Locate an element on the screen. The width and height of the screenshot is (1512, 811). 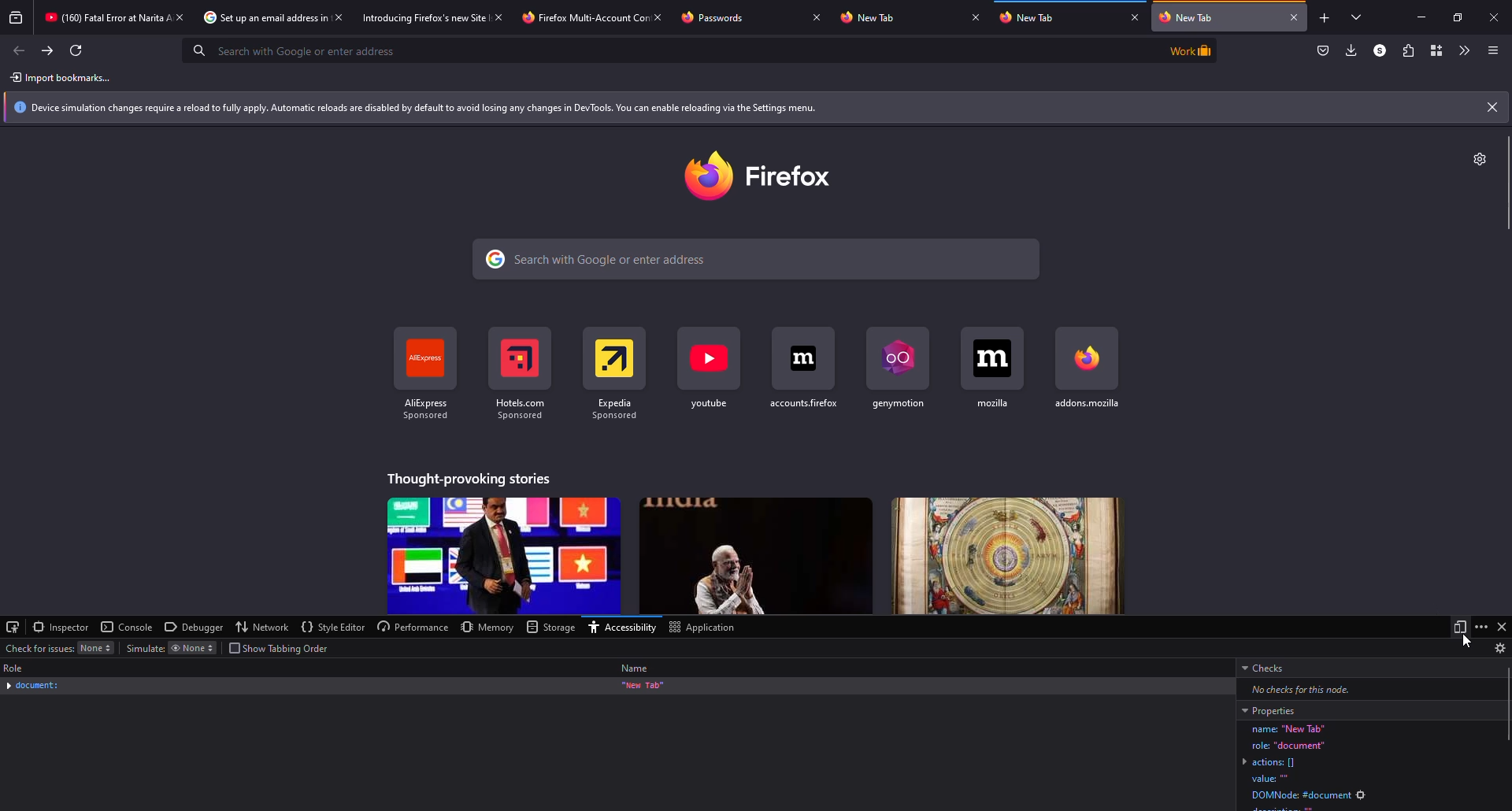
profile is located at coordinates (1377, 50).